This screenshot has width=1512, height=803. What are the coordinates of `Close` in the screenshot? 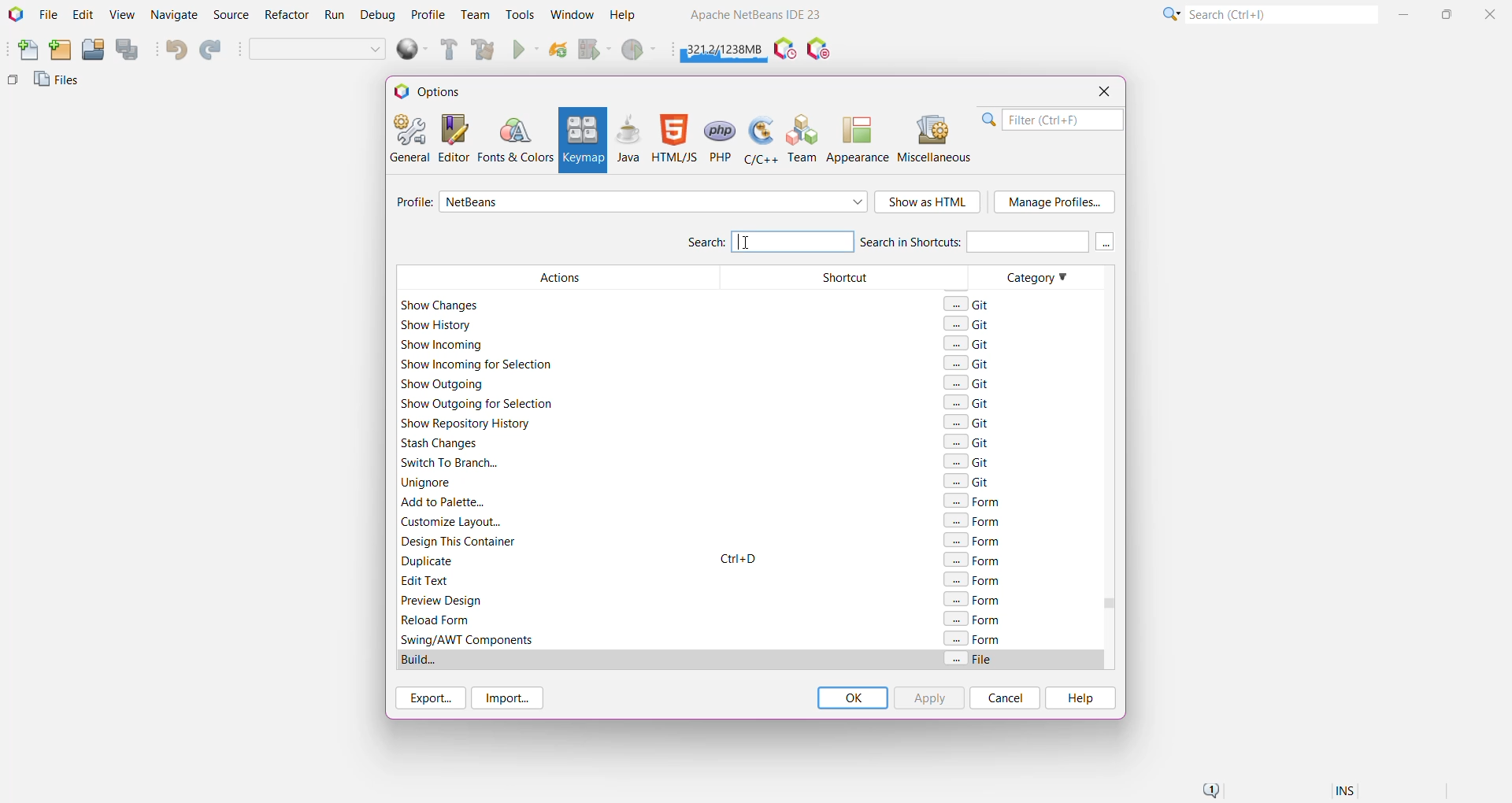 It's located at (1492, 13).